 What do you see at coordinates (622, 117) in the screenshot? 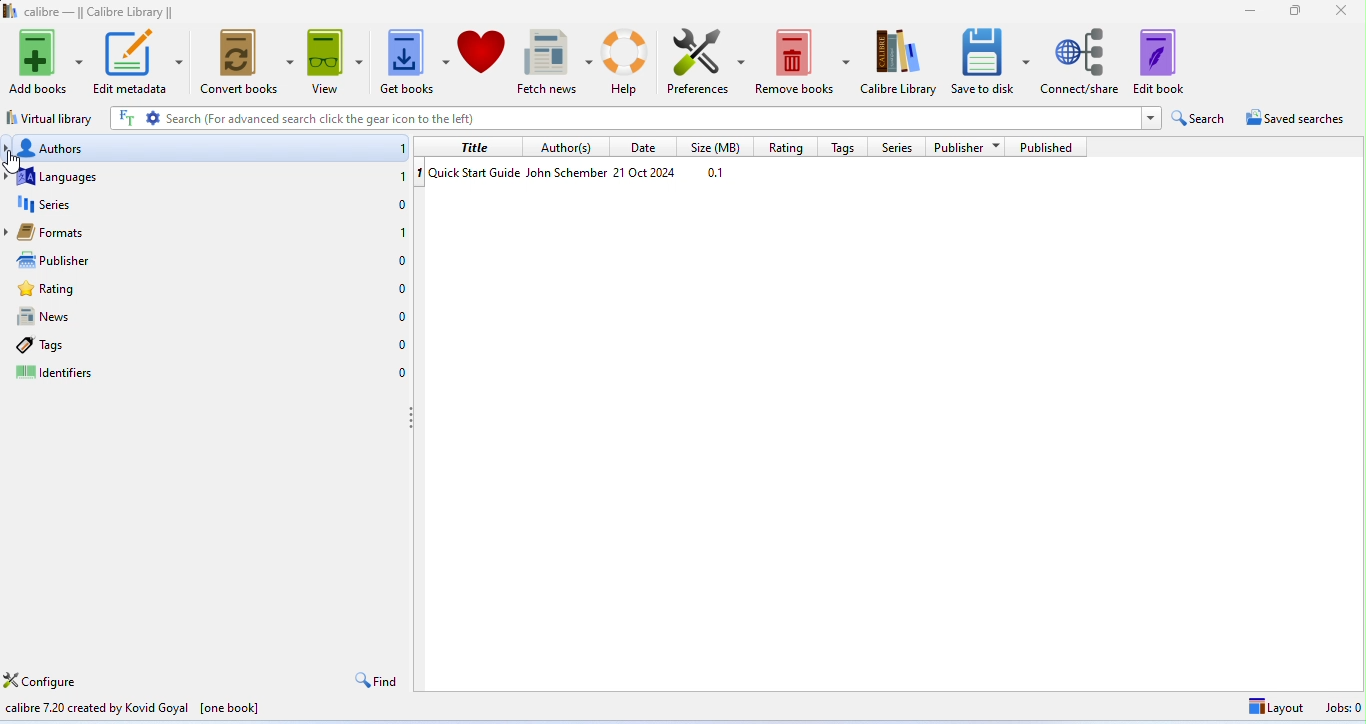
I see `search` at bounding box center [622, 117].